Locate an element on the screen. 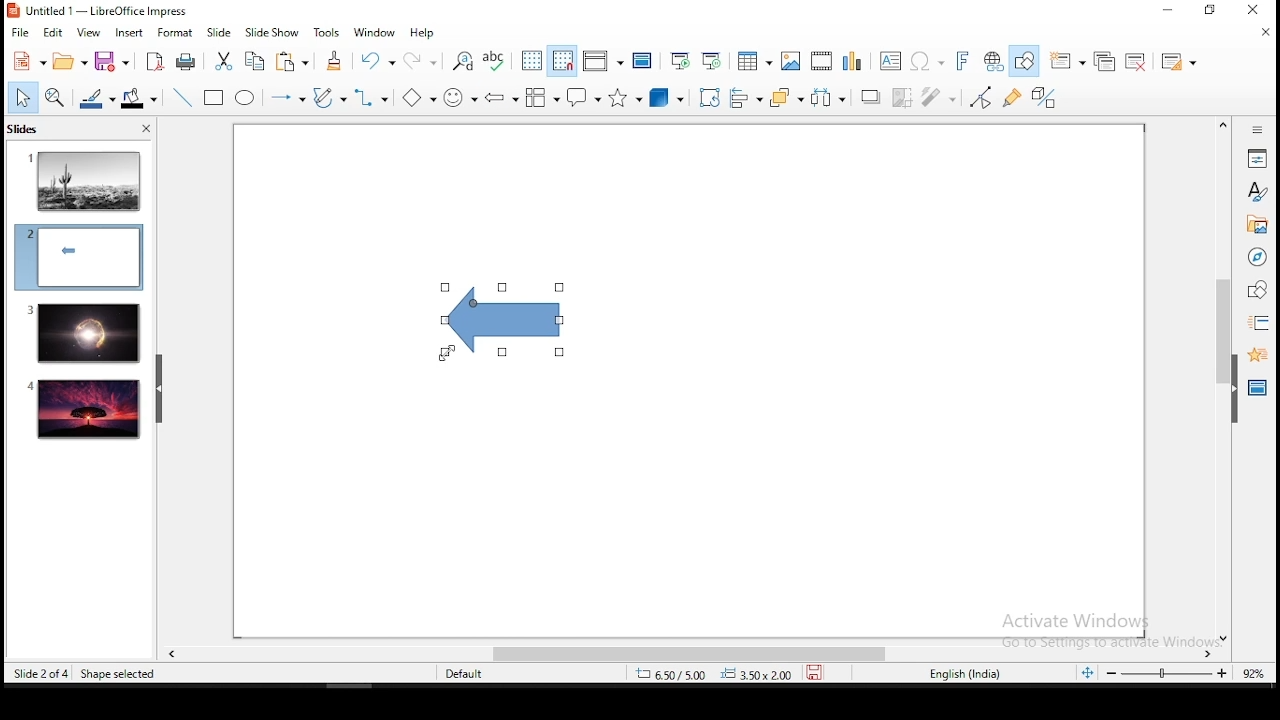 The image size is (1280, 720). fit to screen is located at coordinates (1087, 674).